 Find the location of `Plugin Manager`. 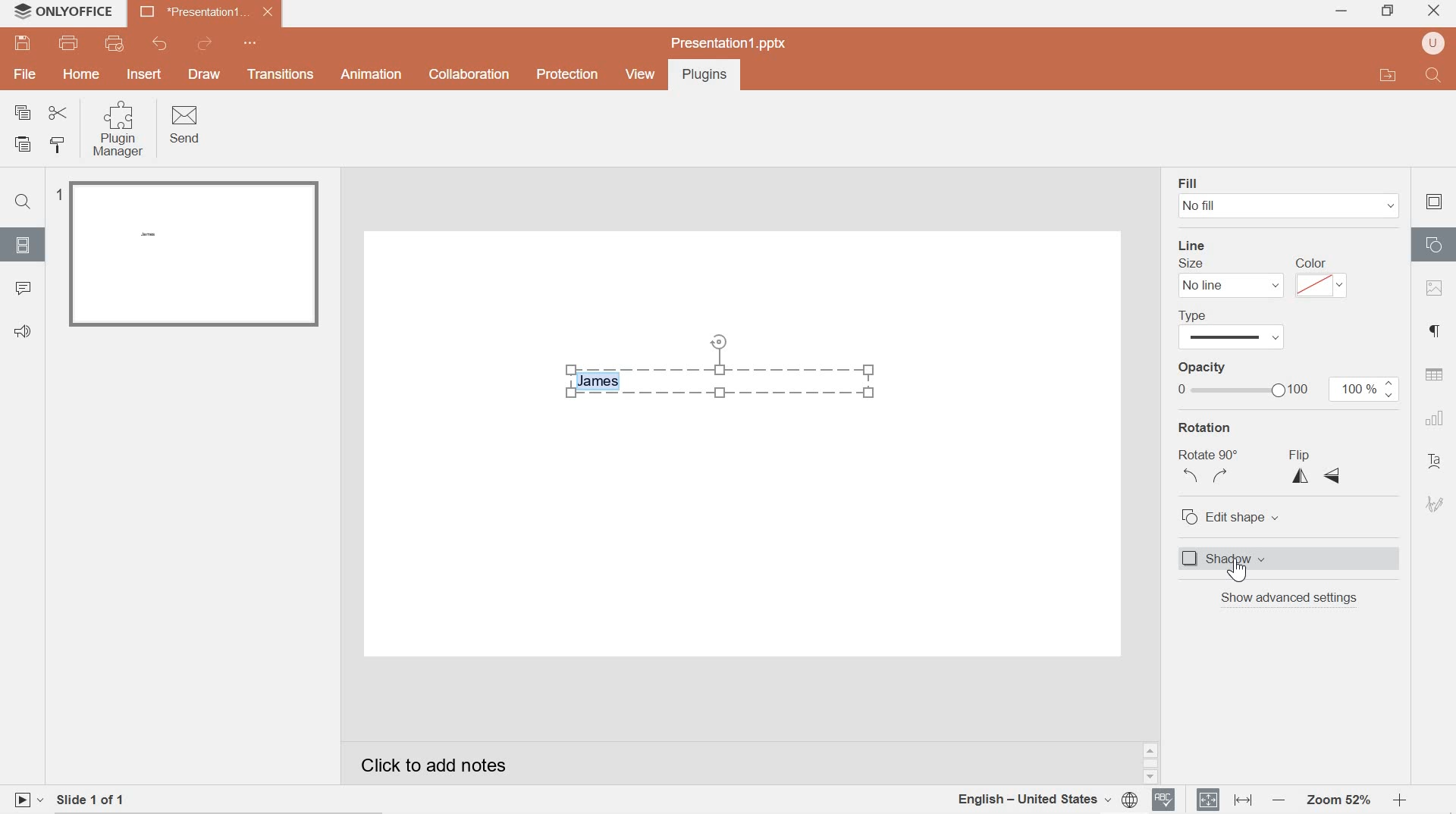

Plugin Manager is located at coordinates (121, 130).